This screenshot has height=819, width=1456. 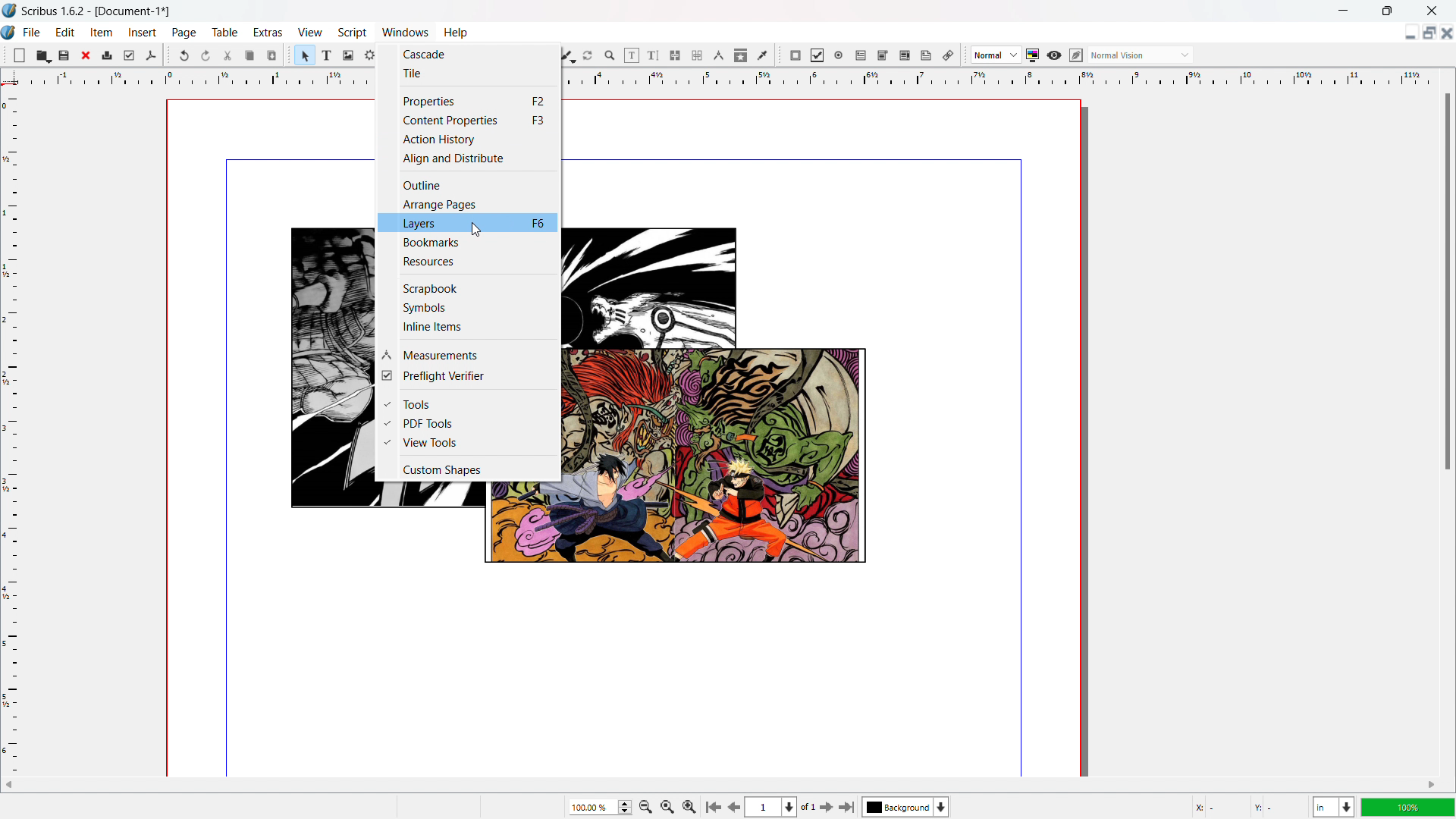 What do you see at coordinates (249, 55) in the screenshot?
I see `copy` at bounding box center [249, 55].